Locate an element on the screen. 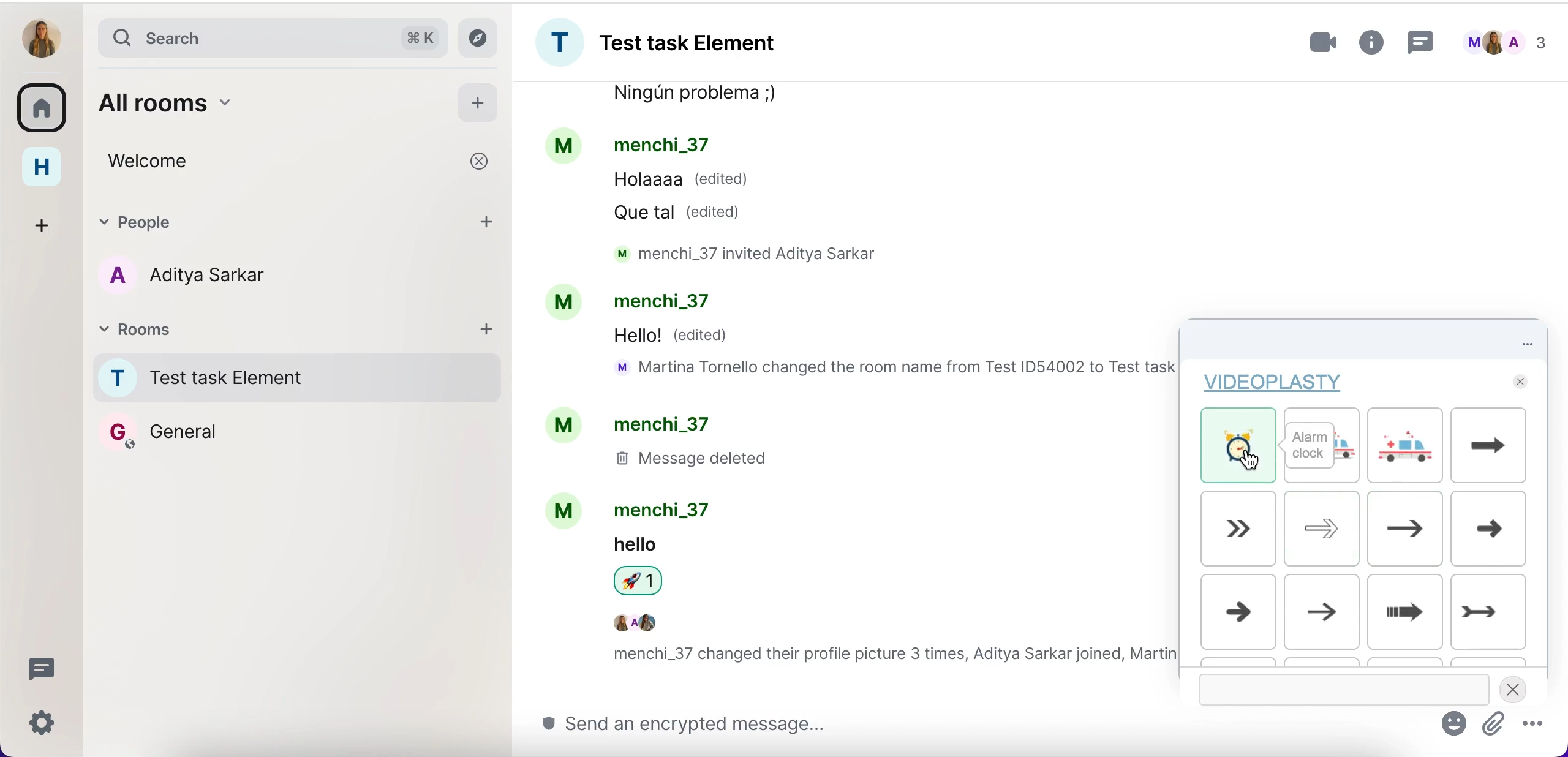 This screenshot has width=1568, height=757. gif search bar is located at coordinates (1345, 690).